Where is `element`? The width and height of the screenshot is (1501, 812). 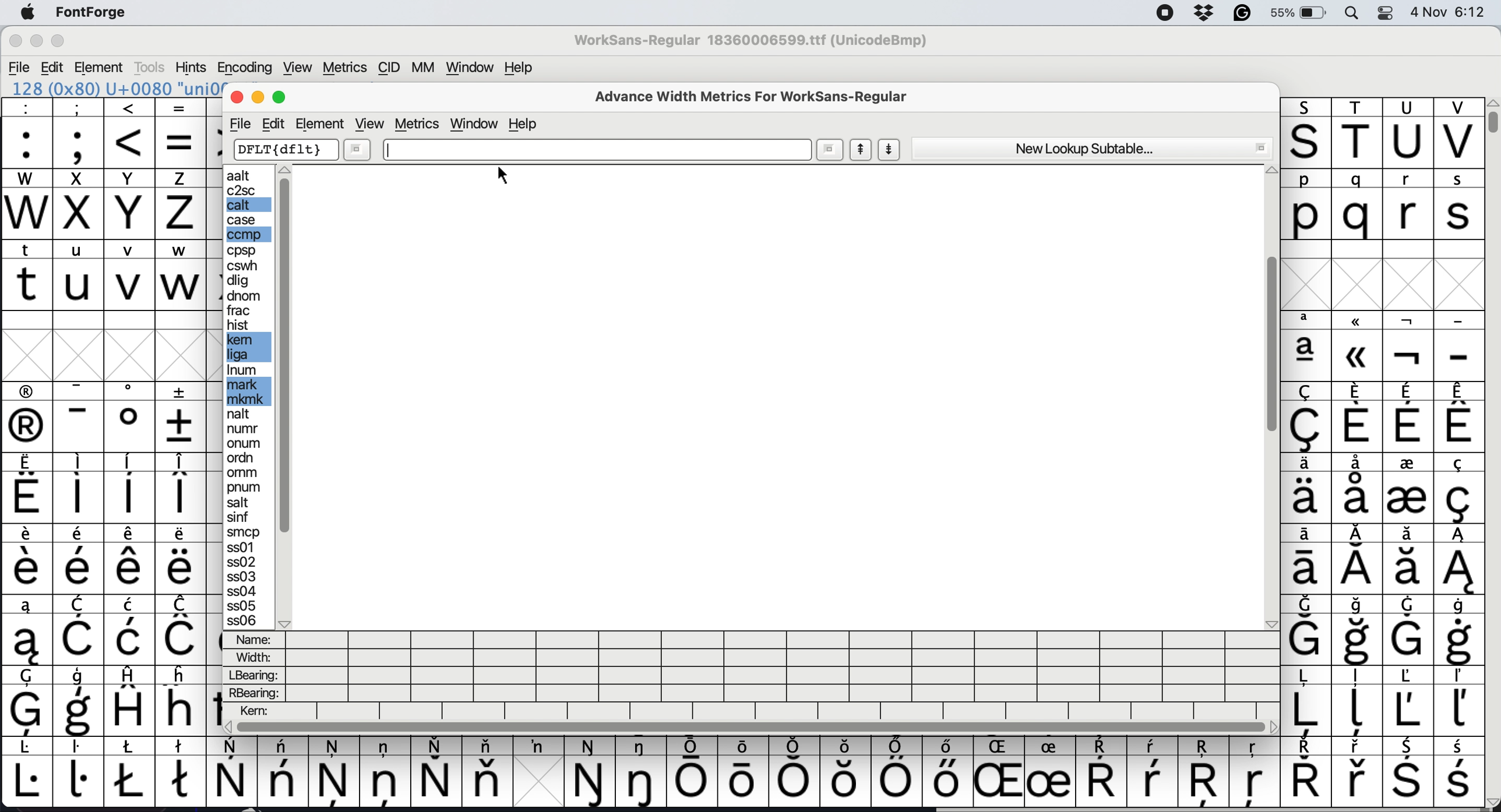
element is located at coordinates (321, 123).